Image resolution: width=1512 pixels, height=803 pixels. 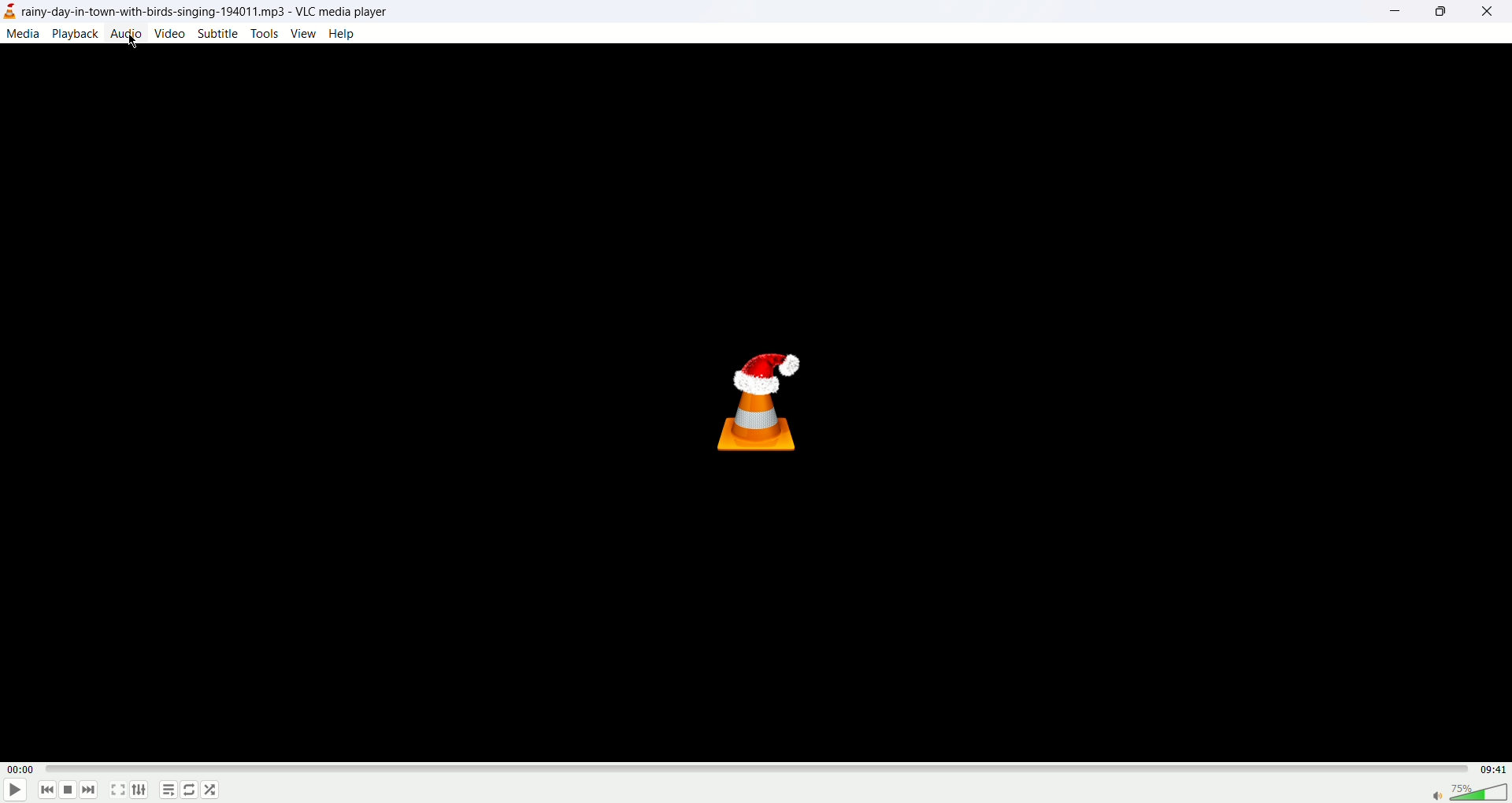 I want to click on shuffle, so click(x=212, y=790).